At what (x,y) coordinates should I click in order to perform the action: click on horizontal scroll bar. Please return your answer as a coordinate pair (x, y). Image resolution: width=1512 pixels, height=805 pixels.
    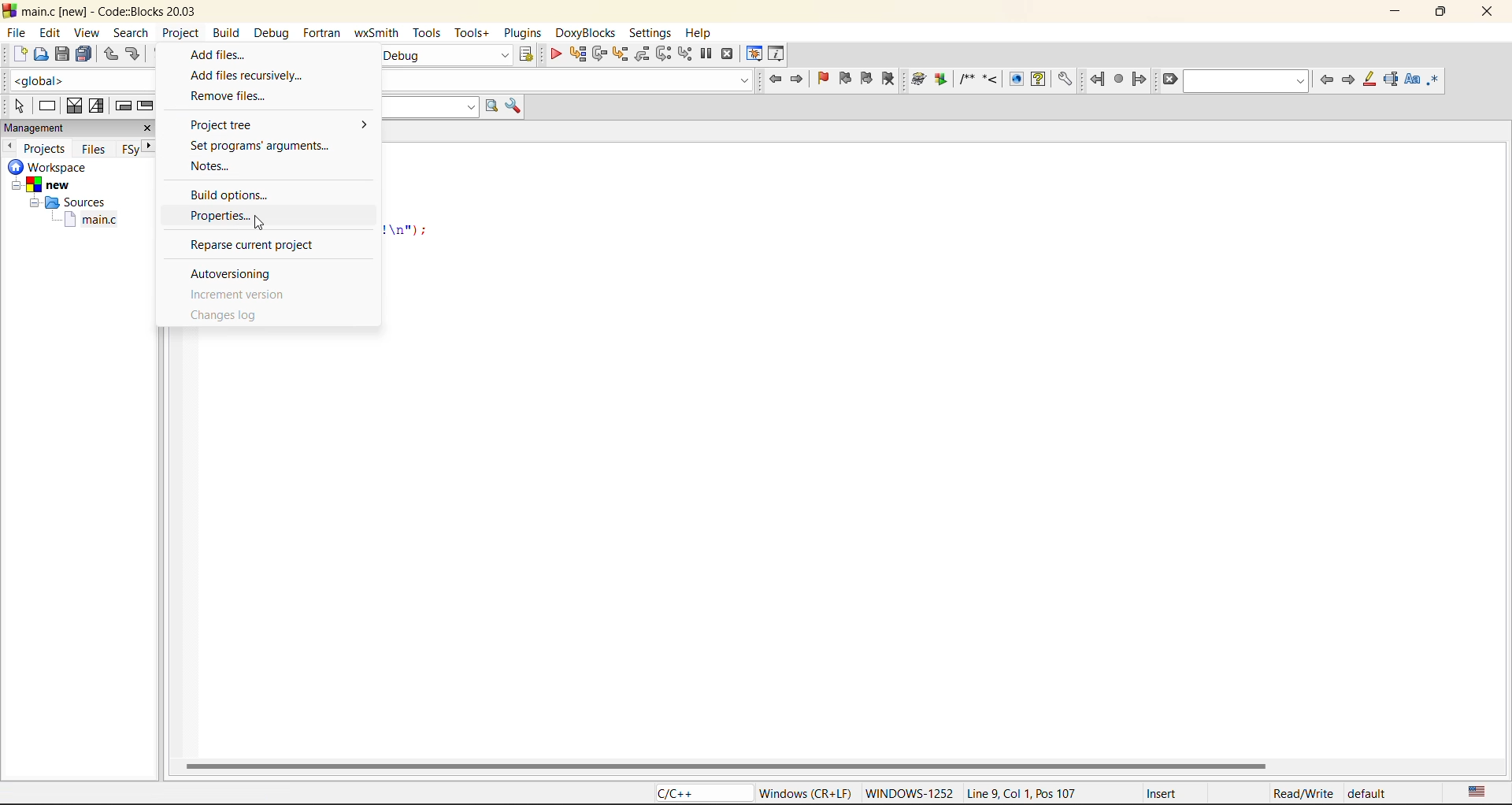
    Looking at the image, I should click on (727, 765).